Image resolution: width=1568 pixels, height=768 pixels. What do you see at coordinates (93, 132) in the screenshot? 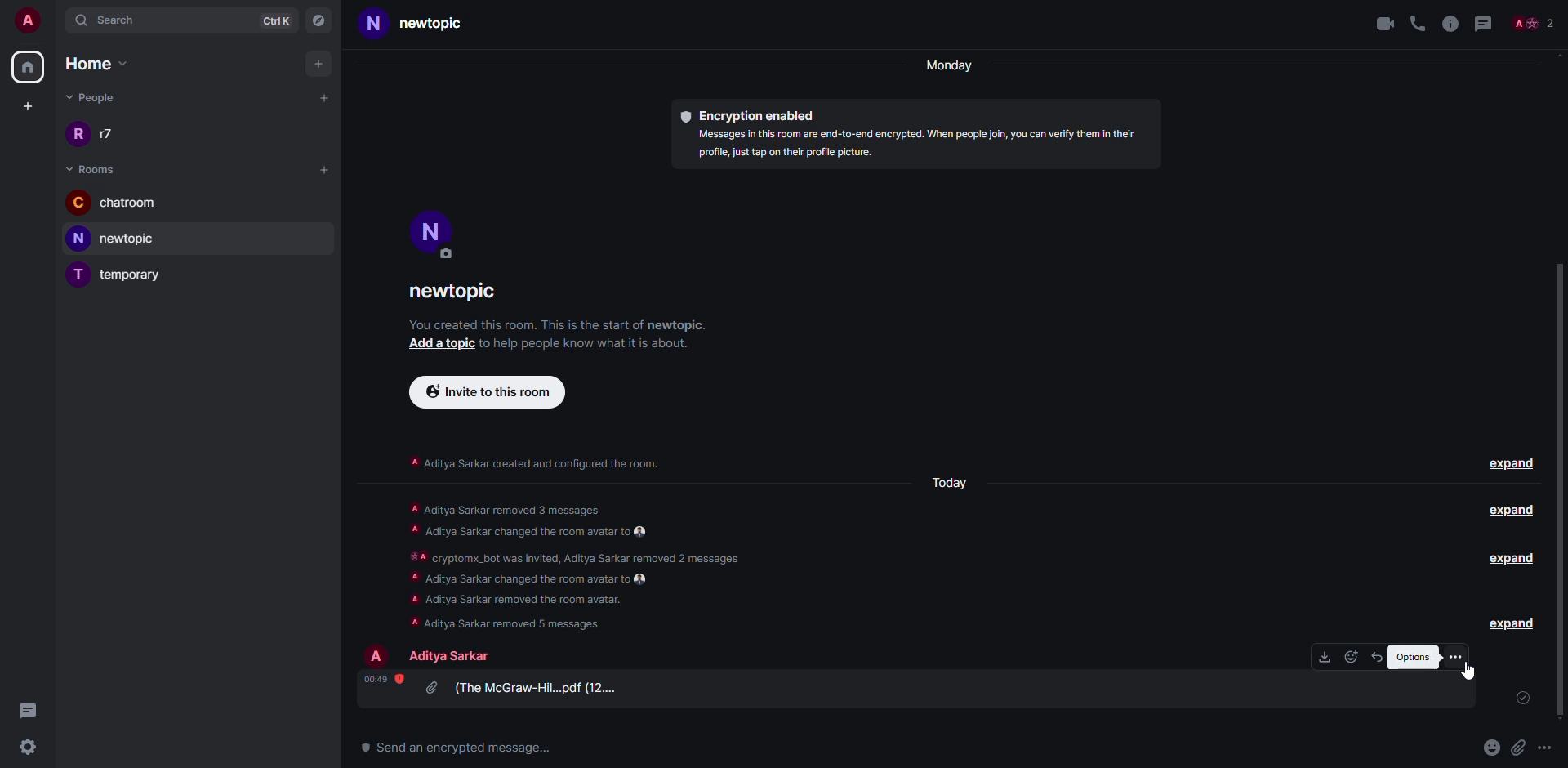
I see `r17` at bounding box center [93, 132].